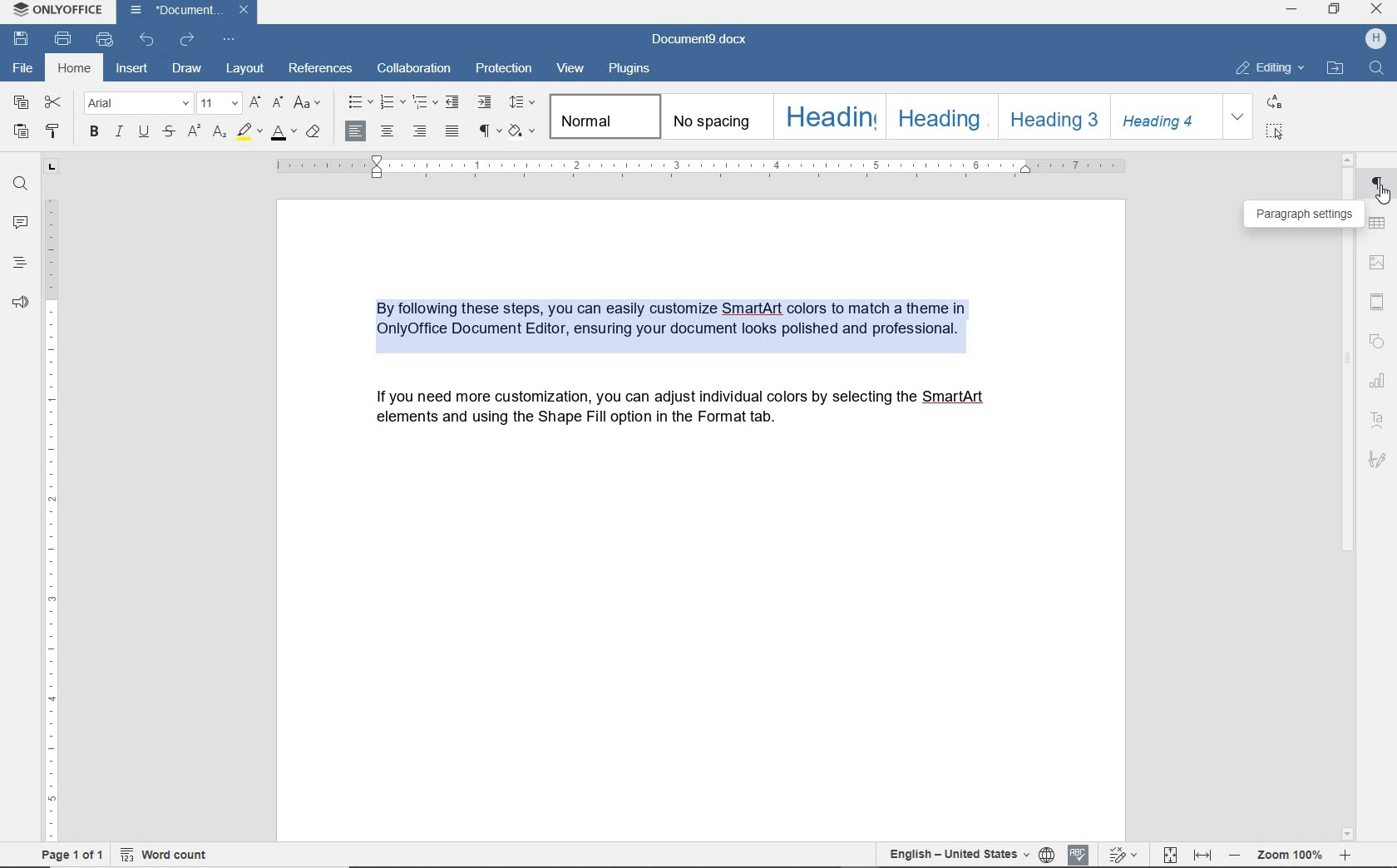  Describe the element at coordinates (22, 37) in the screenshot. I see `save` at that location.